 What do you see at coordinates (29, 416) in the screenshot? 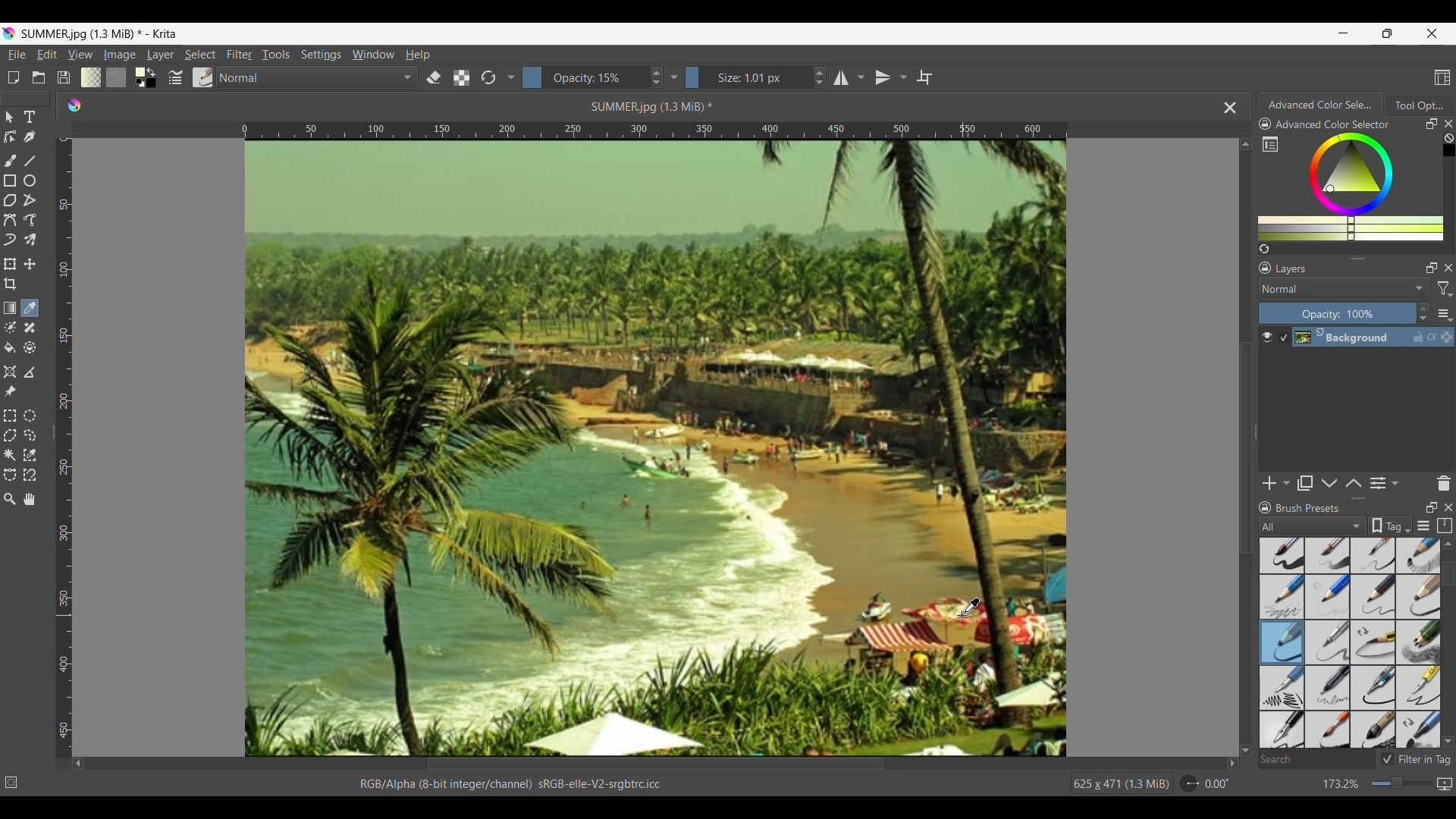
I see `Elliptical selection tool` at bounding box center [29, 416].